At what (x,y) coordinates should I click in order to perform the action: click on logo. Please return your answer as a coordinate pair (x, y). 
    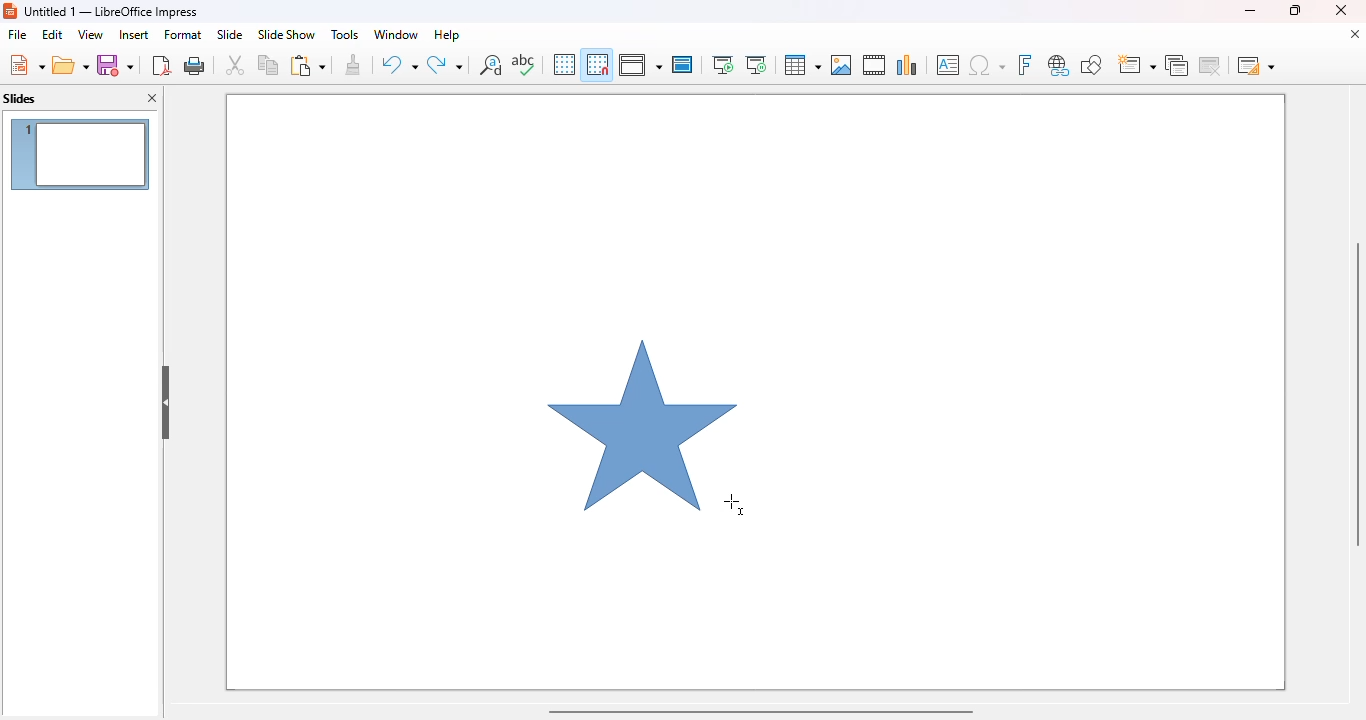
    Looking at the image, I should click on (10, 11).